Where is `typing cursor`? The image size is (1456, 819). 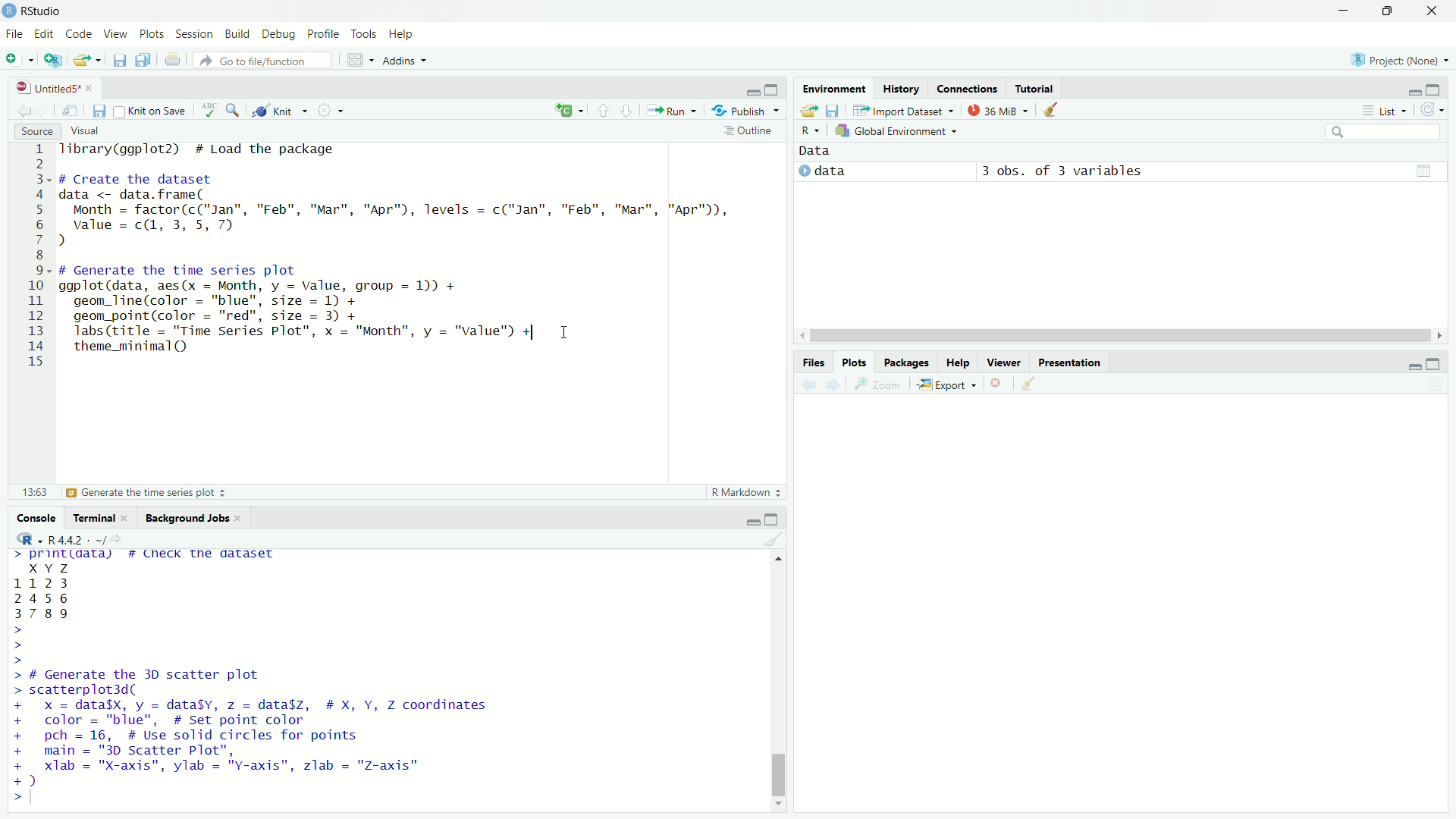
typing cursor is located at coordinates (40, 798).